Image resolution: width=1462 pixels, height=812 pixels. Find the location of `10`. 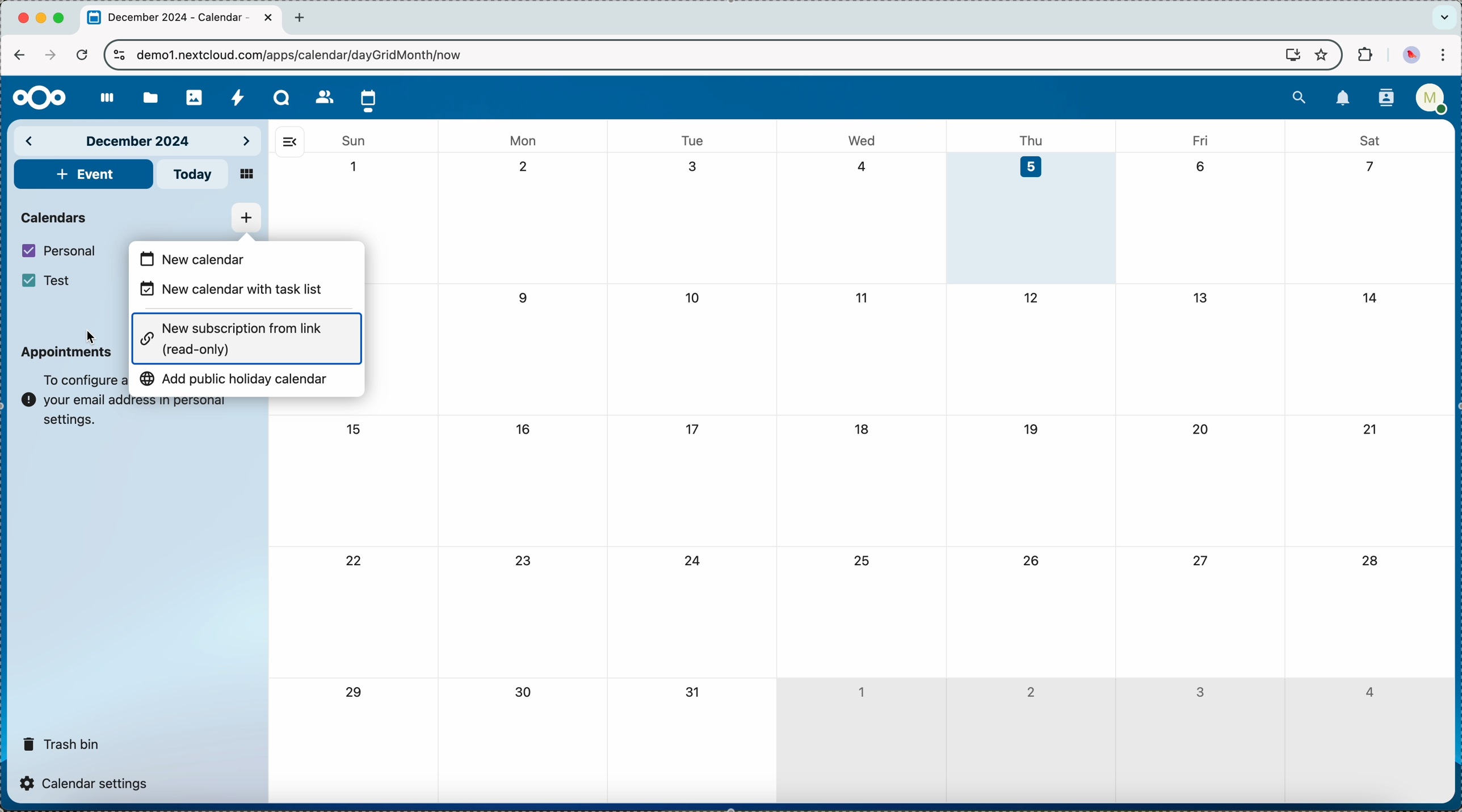

10 is located at coordinates (694, 299).